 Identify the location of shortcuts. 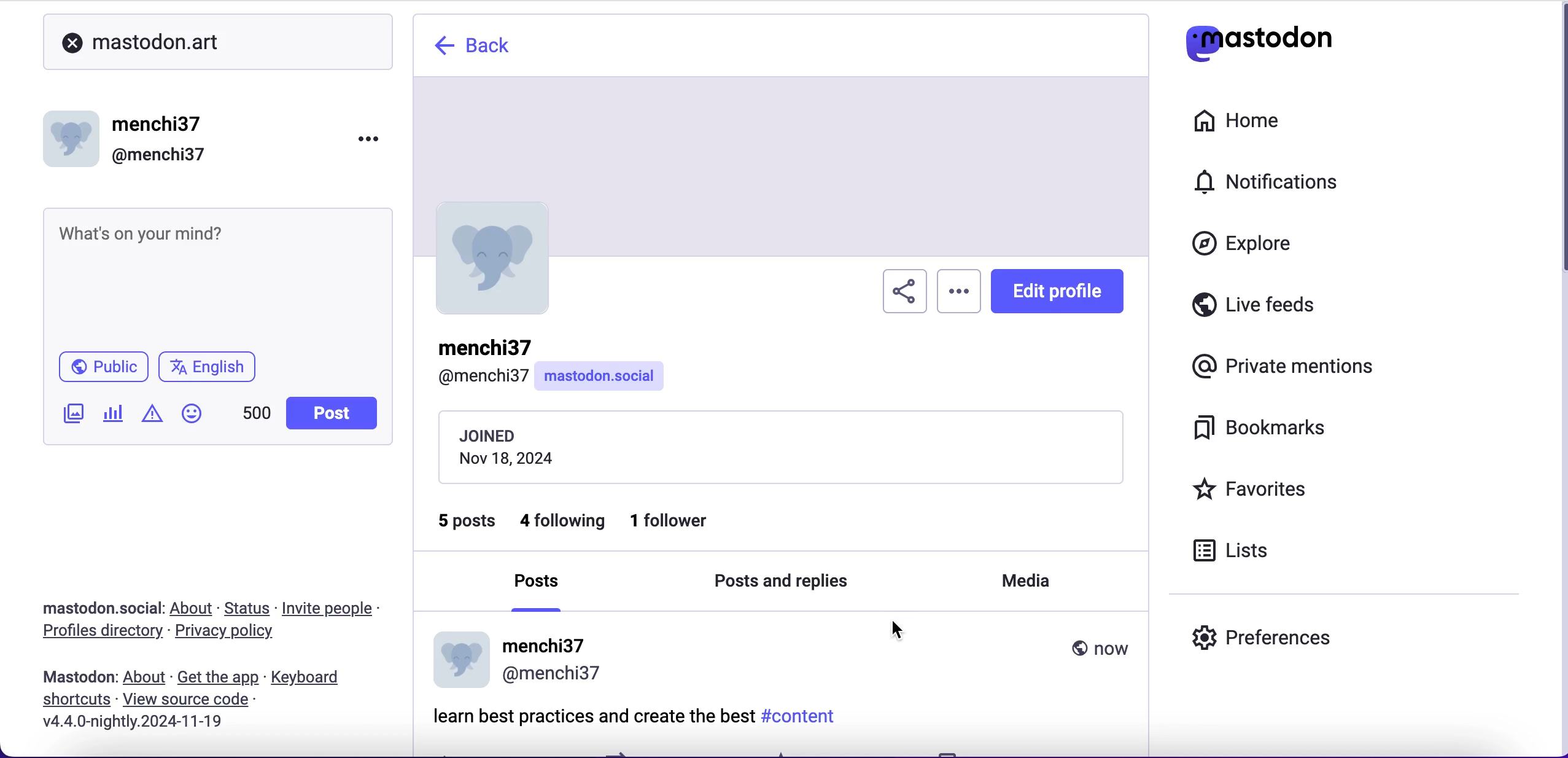
(74, 698).